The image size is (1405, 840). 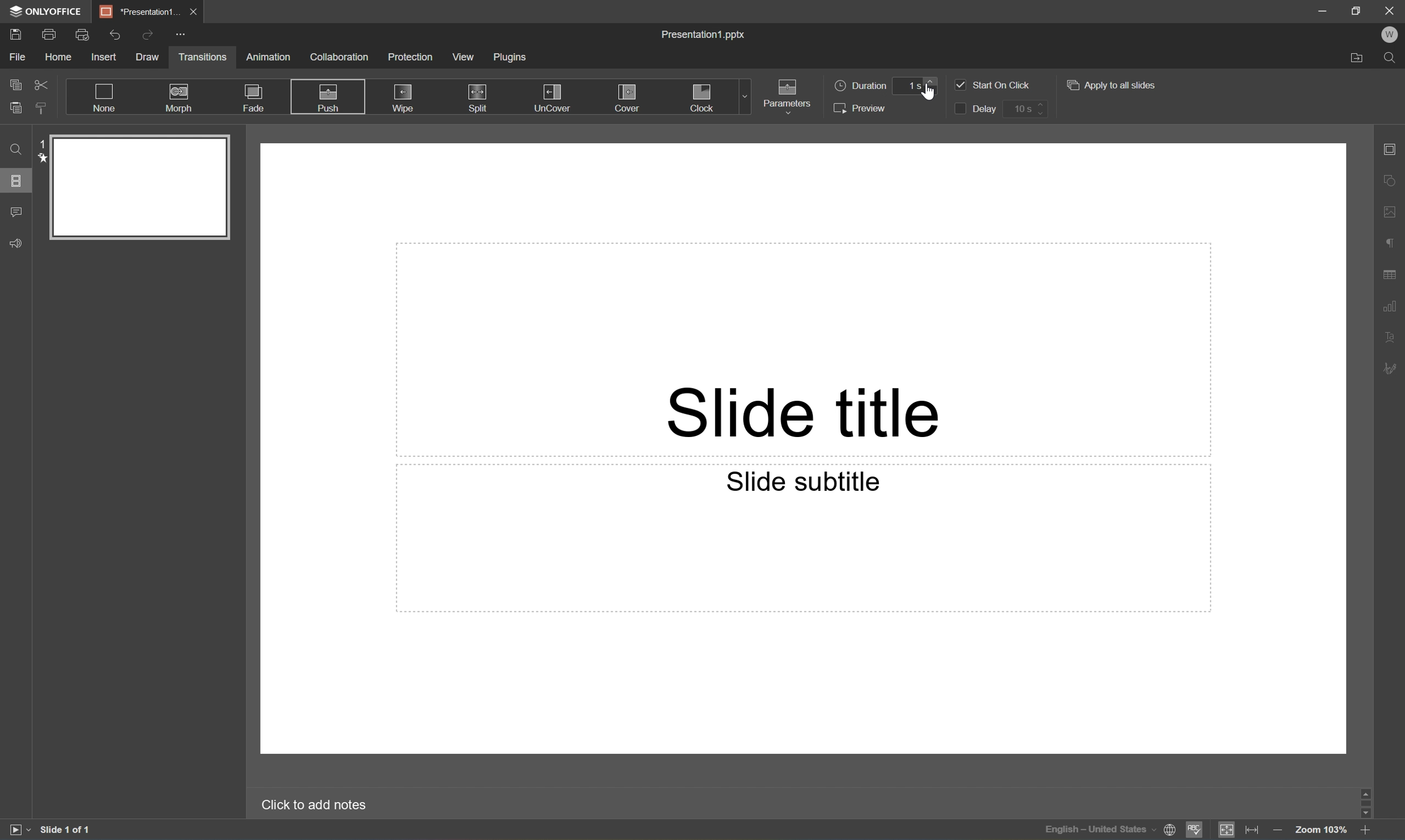 What do you see at coordinates (402, 99) in the screenshot?
I see `Wipe` at bounding box center [402, 99].